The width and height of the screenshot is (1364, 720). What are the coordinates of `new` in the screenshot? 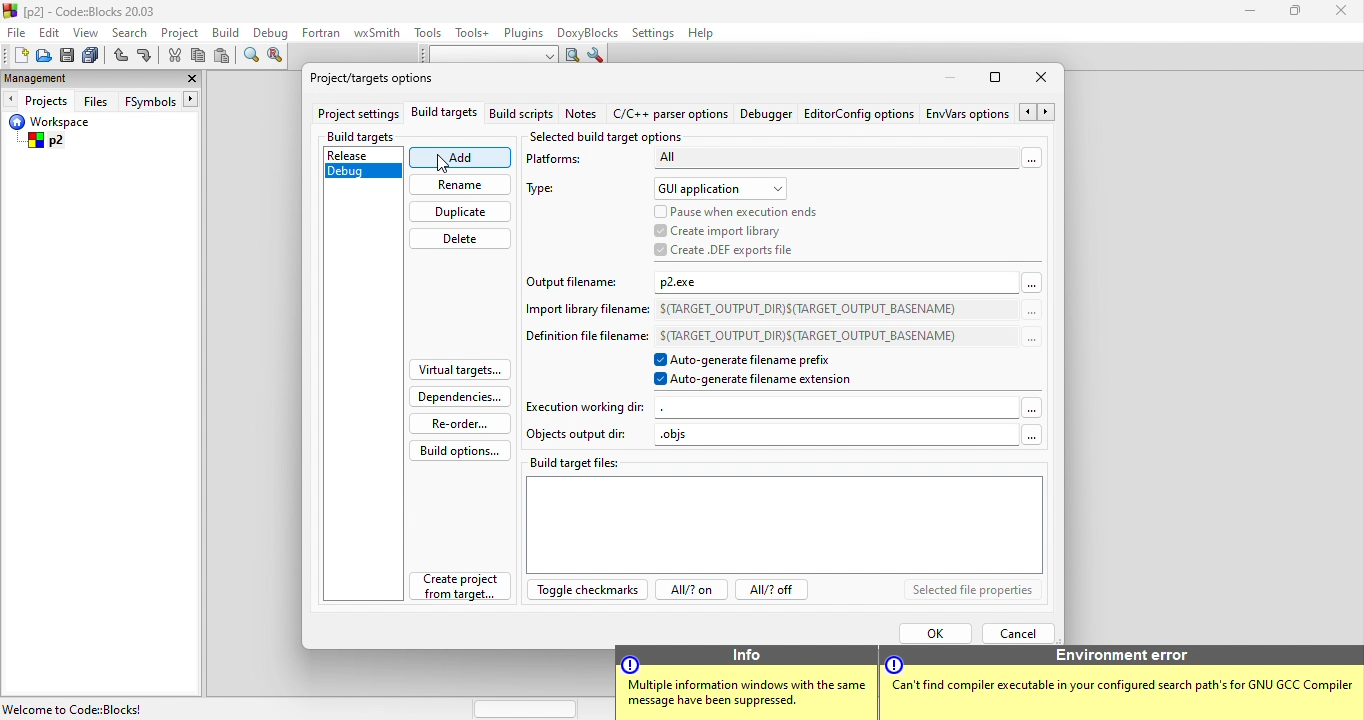 It's located at (15, 55).